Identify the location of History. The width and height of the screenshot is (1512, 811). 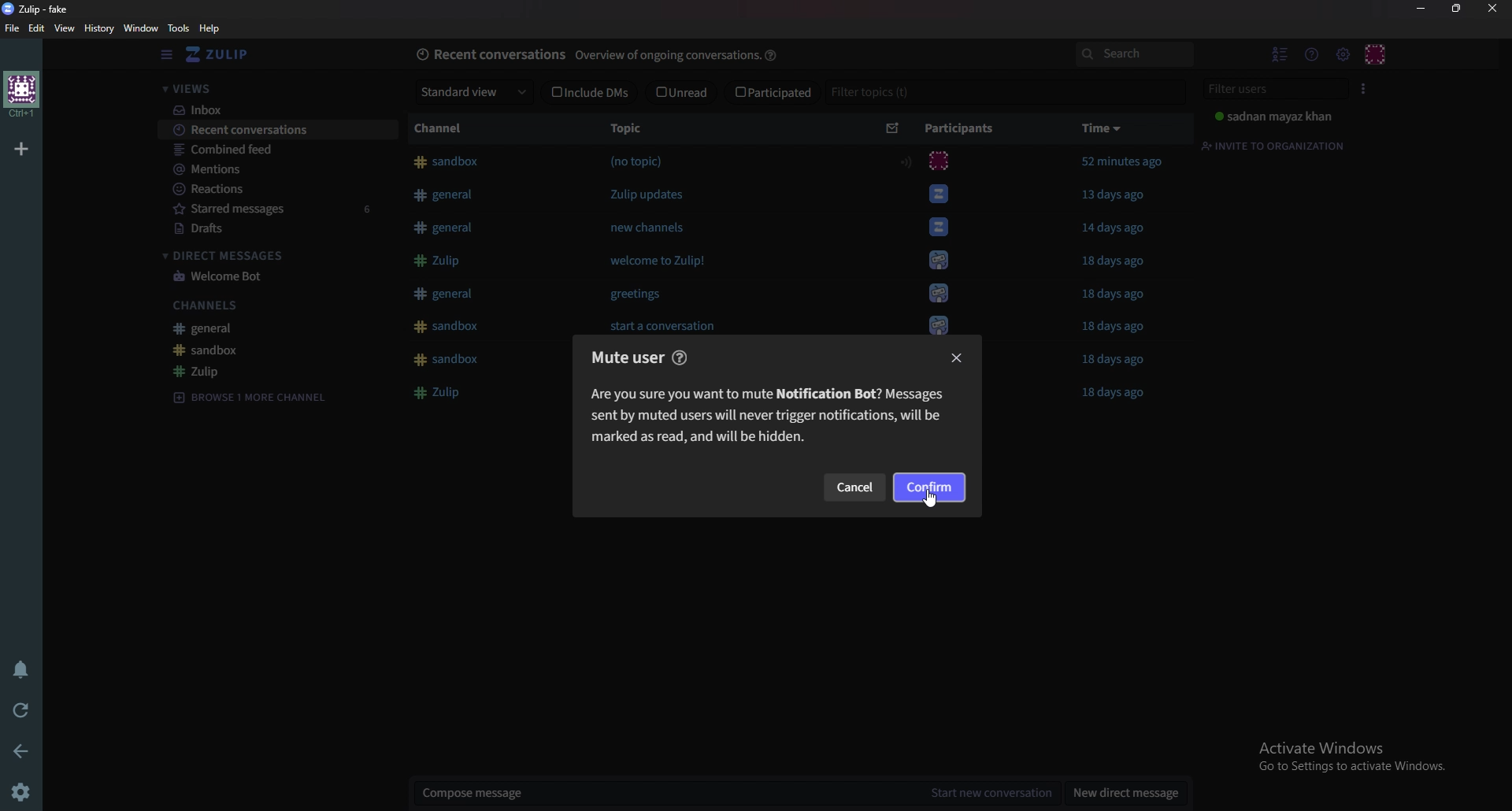
(101, 28).